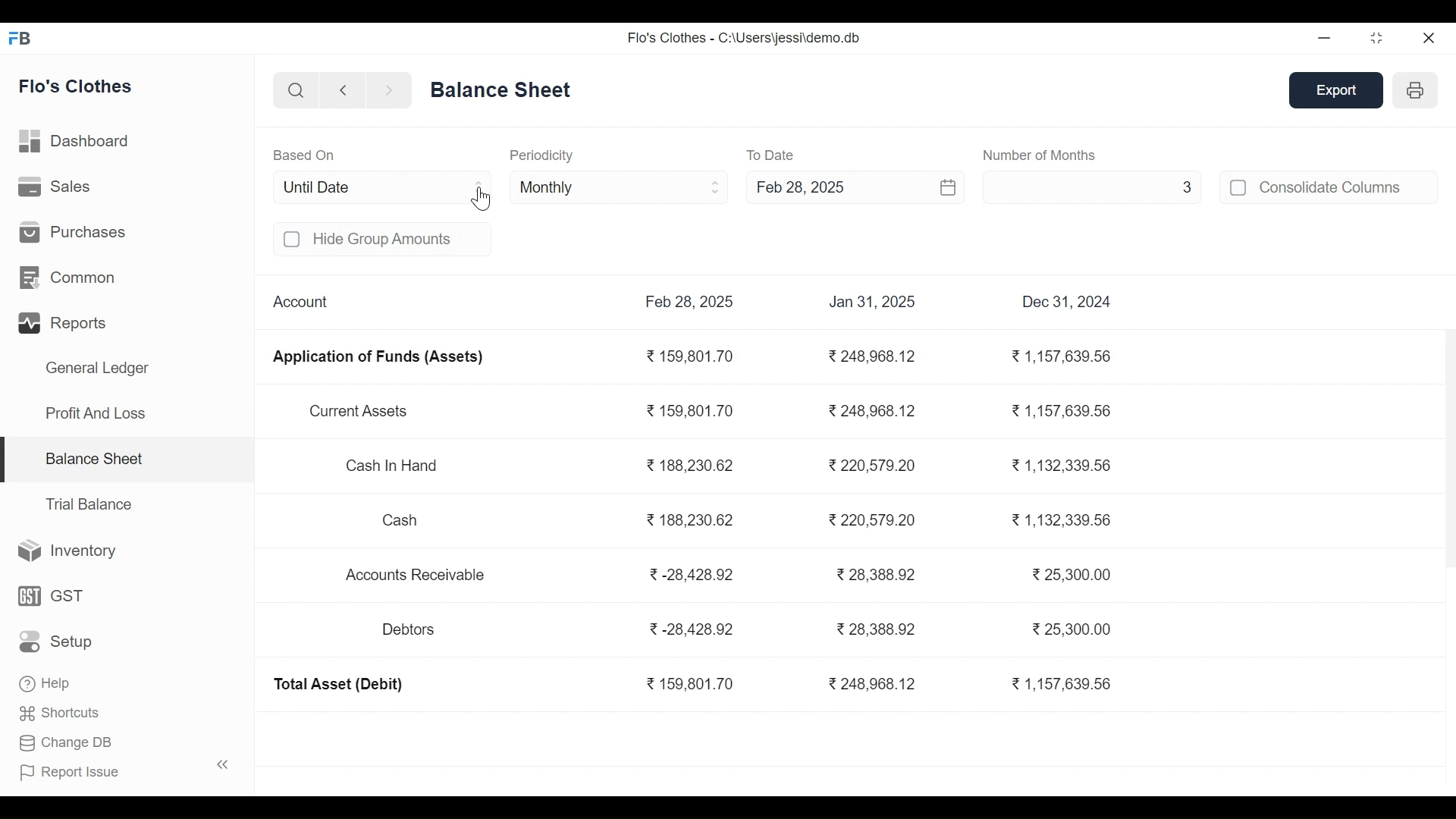  What do you see at coordinates (68, 551) in the screenshot?
I see `inventory` at bounding box center [68, 551].